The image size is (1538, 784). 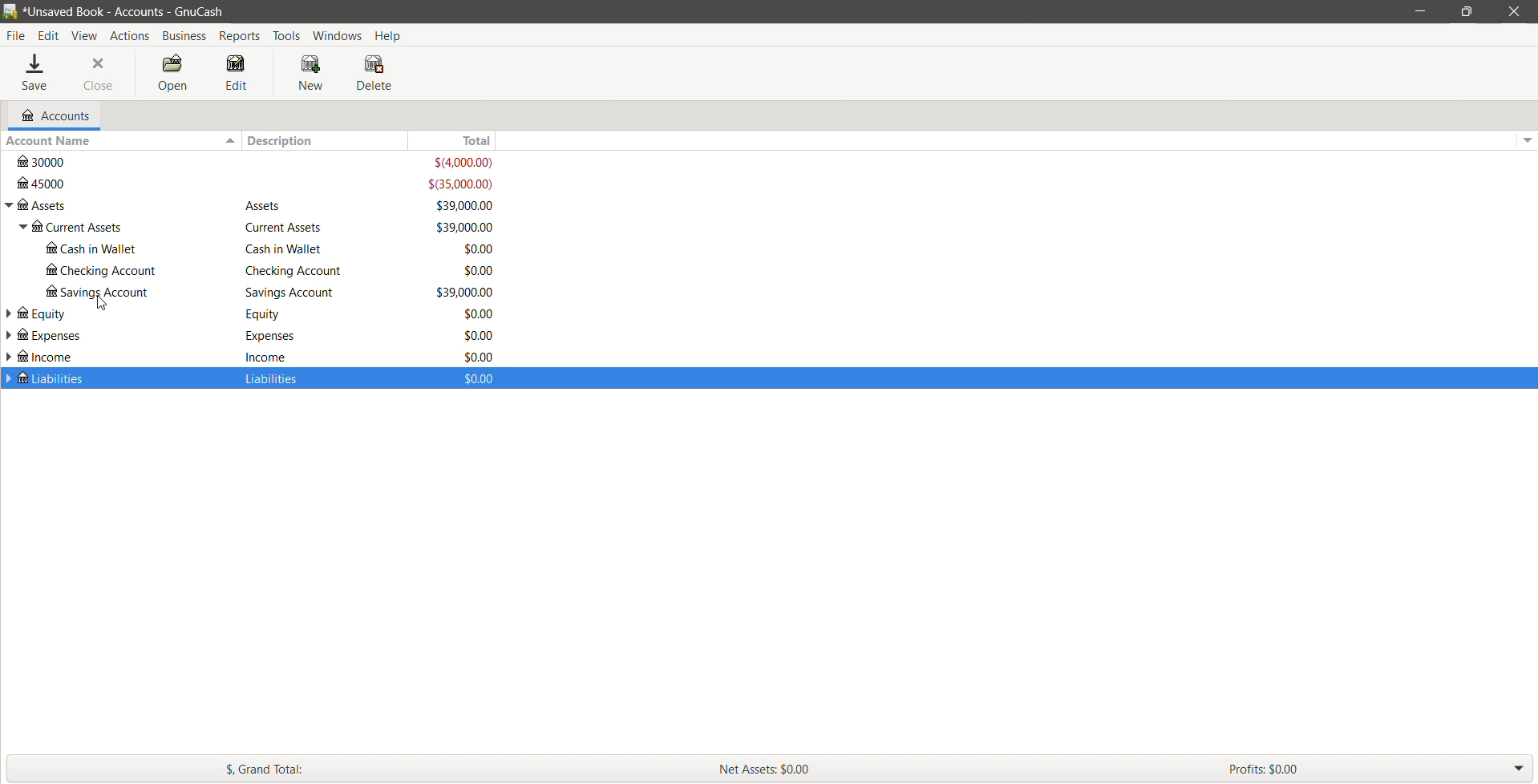 What do you see at coordinates (115, 380) in the screenshot?
I see `Liabilities` at bounding box center [115, 380].